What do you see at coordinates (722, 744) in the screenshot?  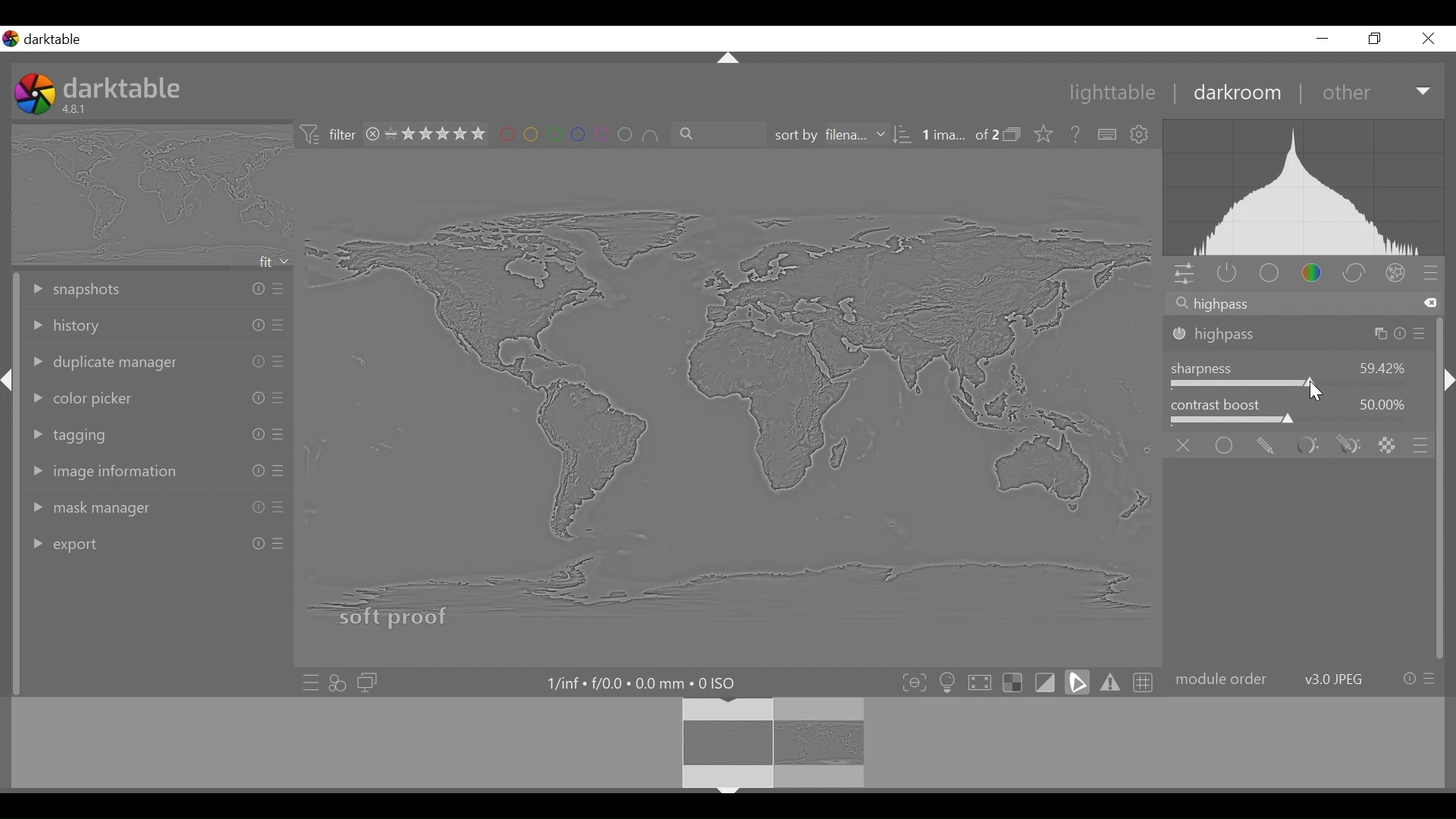 I see `Filmstrip` at bounding box center [722, 744].